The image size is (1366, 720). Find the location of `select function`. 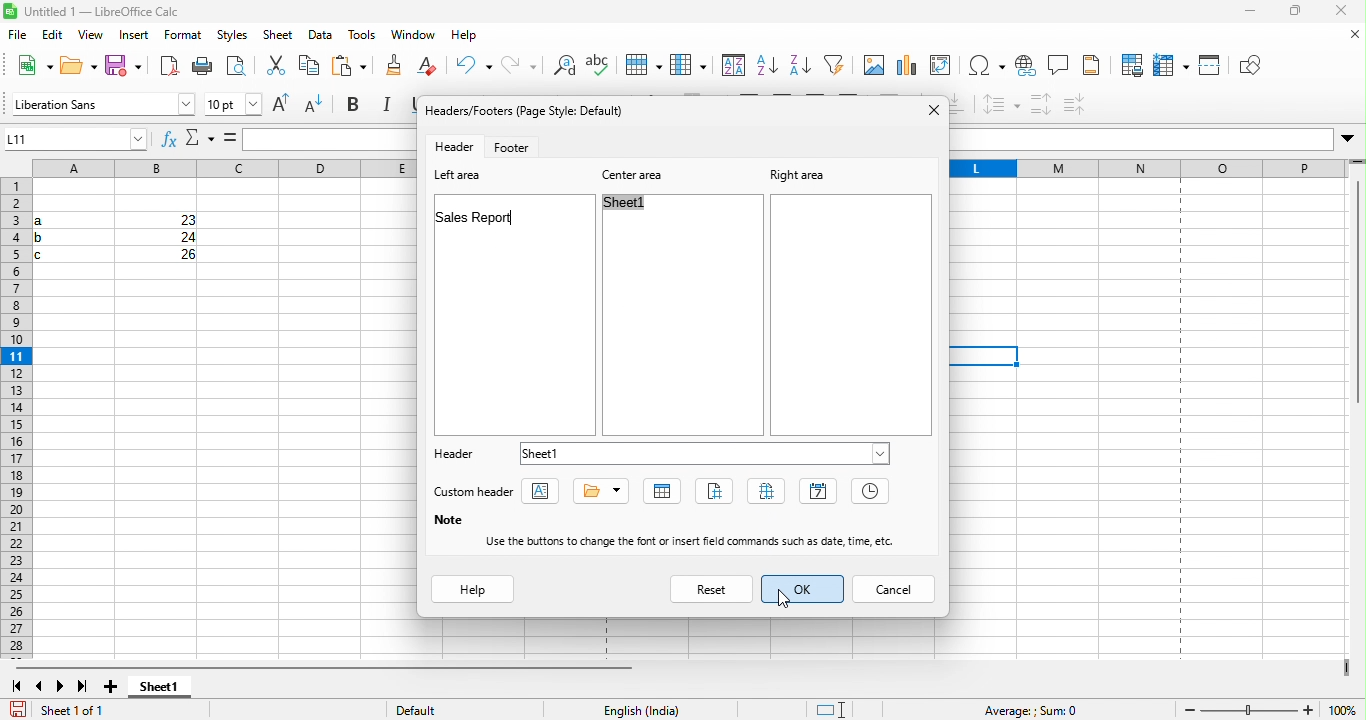

select function is located at coordinates (201, 141).